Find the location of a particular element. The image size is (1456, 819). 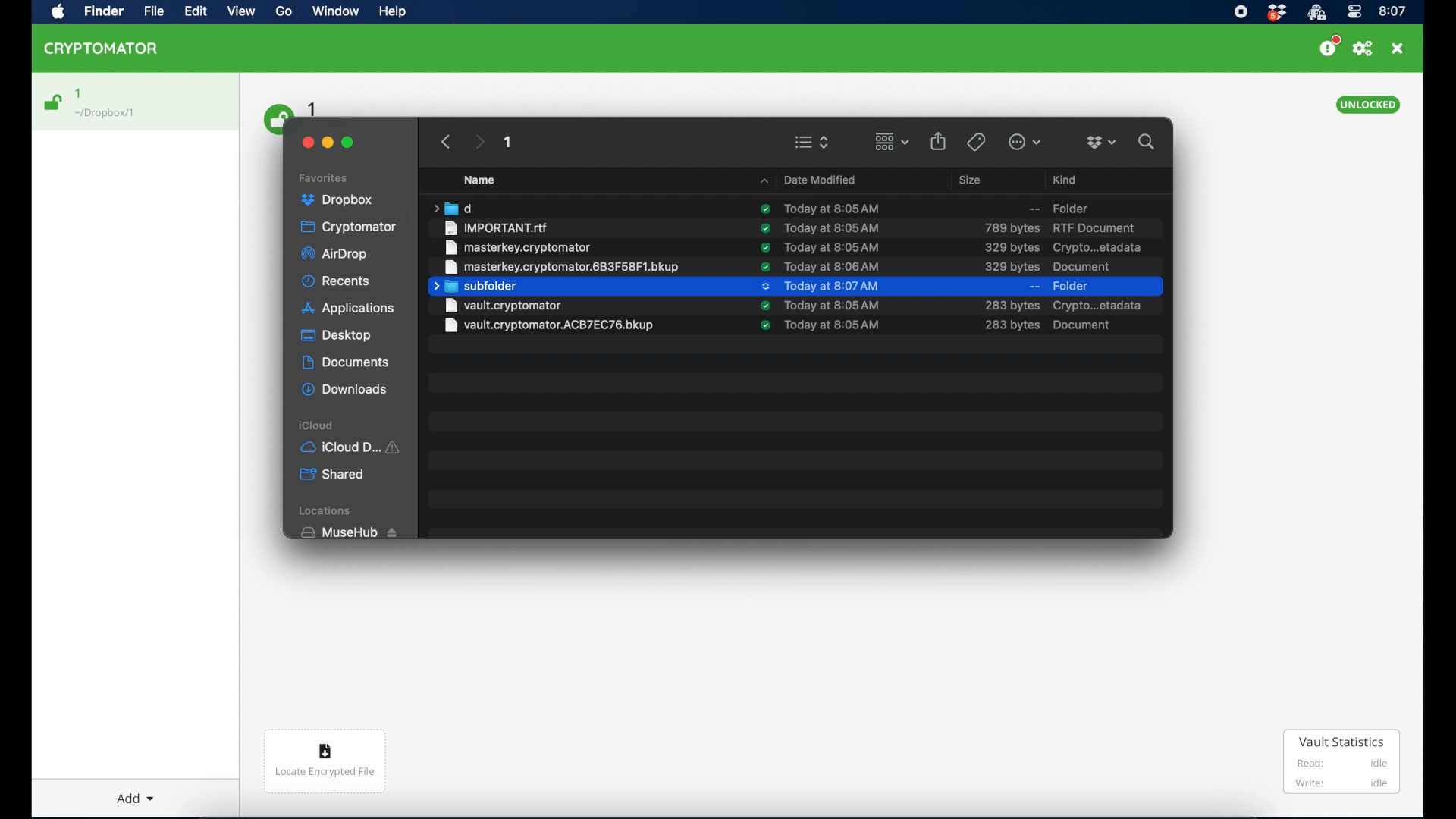

folder is located at coordinates (451, 208).